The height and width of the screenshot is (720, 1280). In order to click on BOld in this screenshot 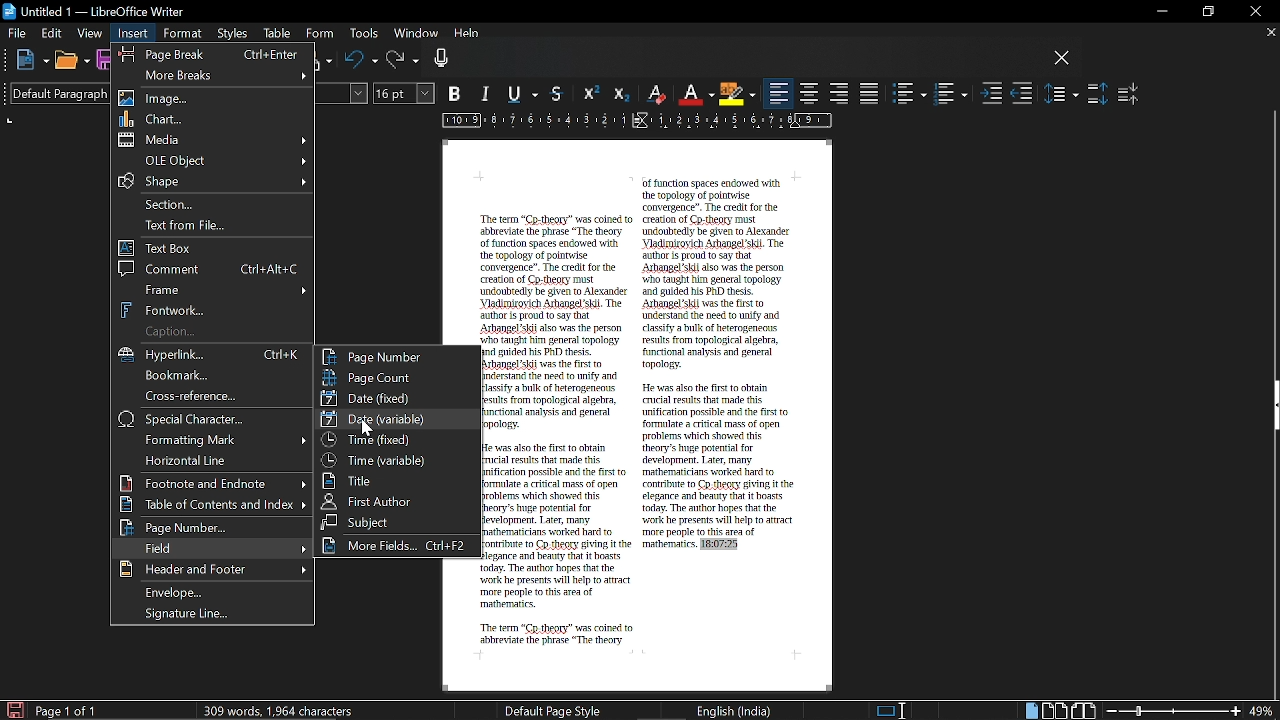, I will do `click(457, 93)`.